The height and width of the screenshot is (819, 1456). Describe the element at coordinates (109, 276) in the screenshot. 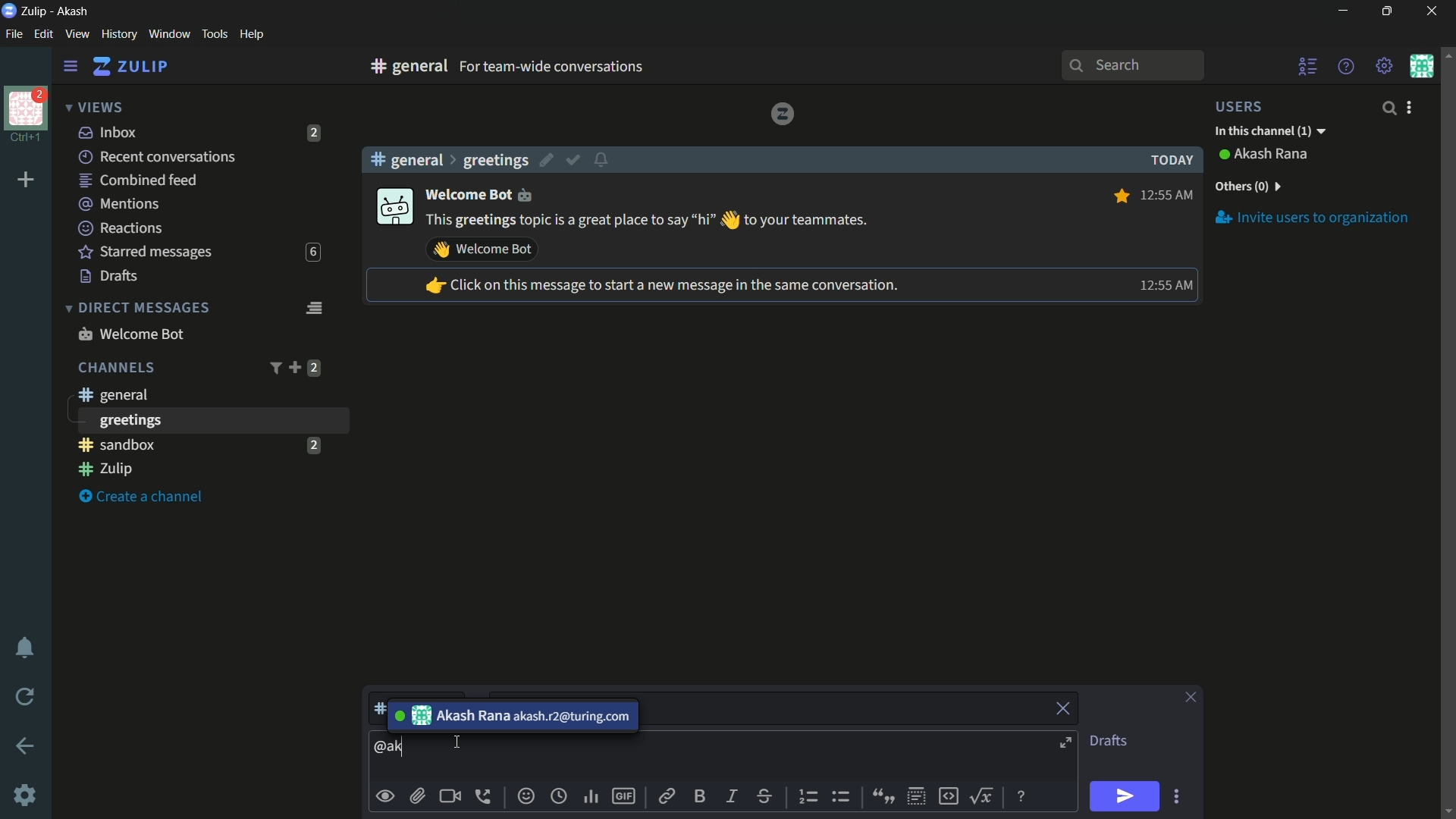

I see `drafts` at that location.